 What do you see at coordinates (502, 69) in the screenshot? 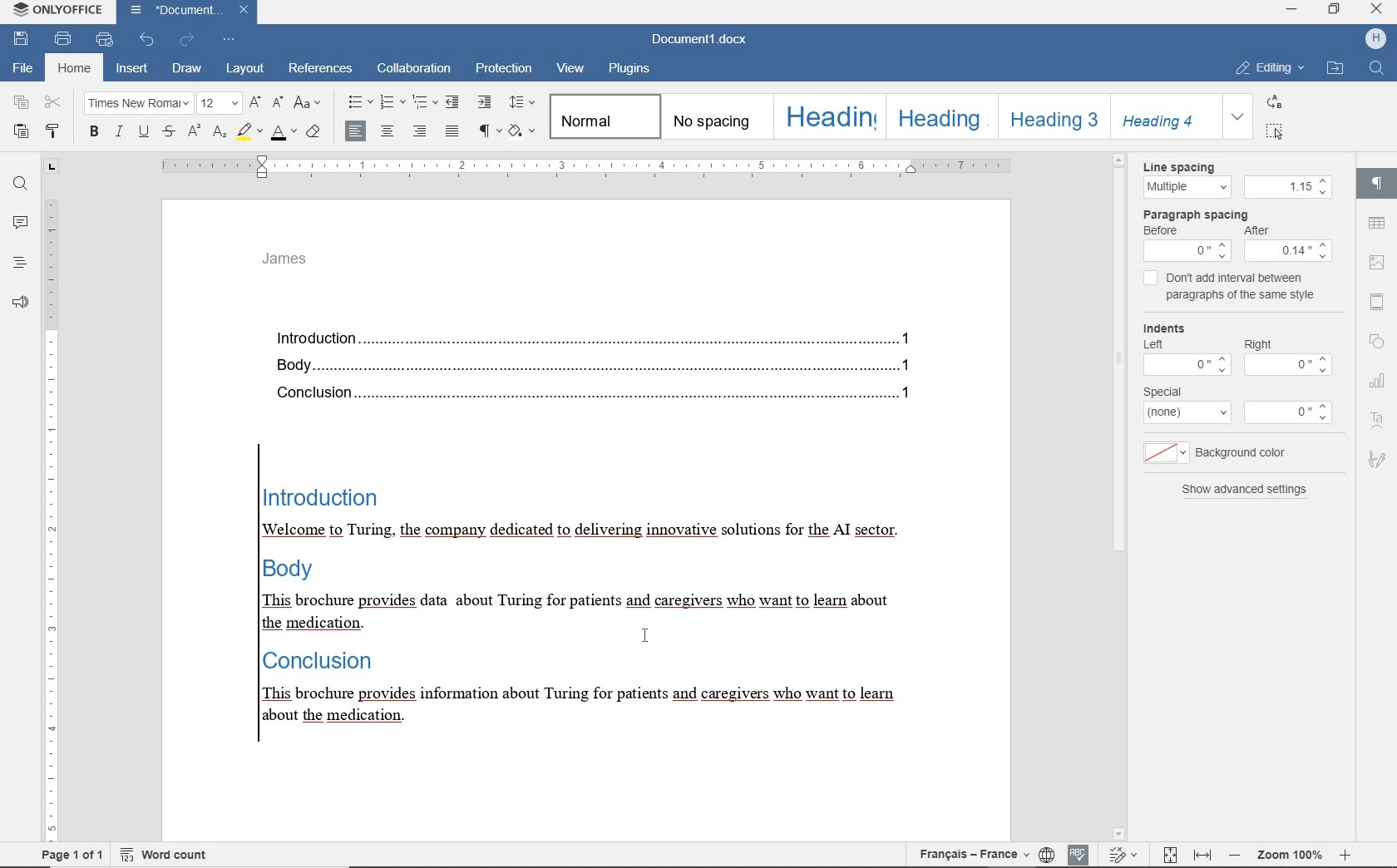
I see `protection` at bounding box center [502, 69].